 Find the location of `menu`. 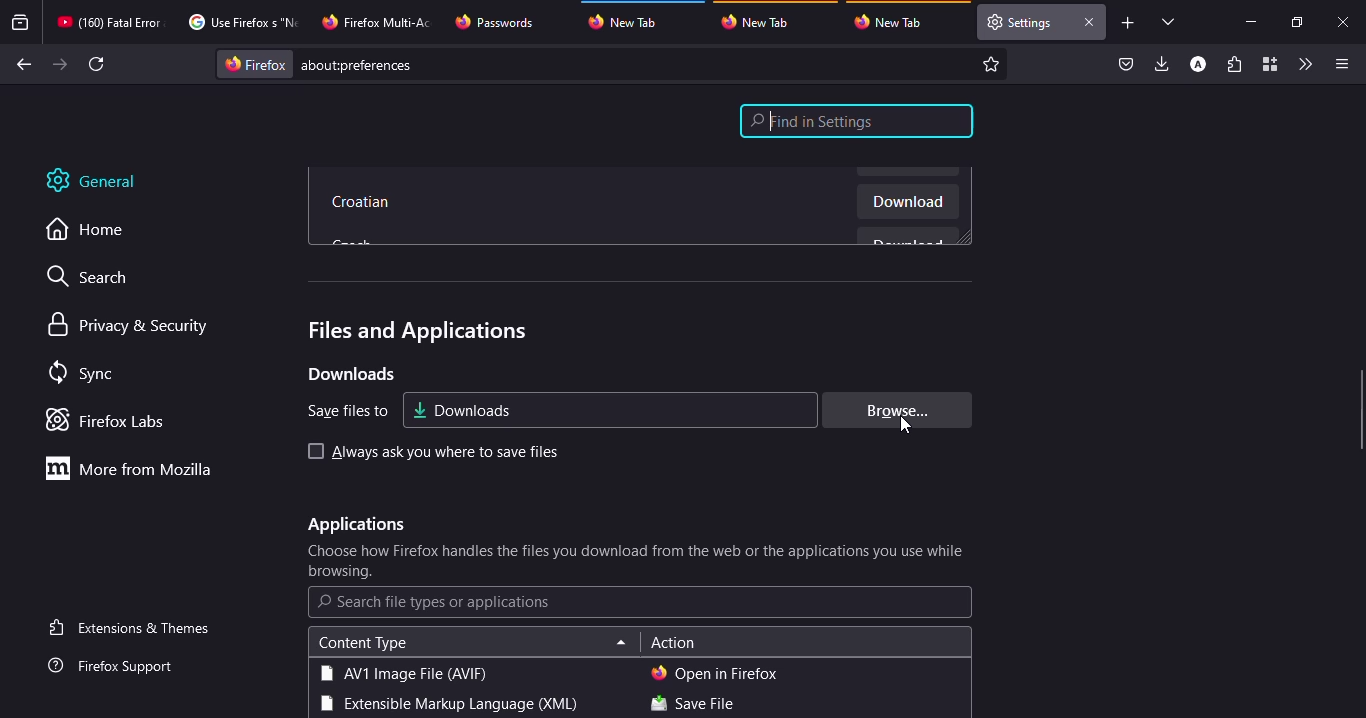

menu is located at coordinates (1338, 64).